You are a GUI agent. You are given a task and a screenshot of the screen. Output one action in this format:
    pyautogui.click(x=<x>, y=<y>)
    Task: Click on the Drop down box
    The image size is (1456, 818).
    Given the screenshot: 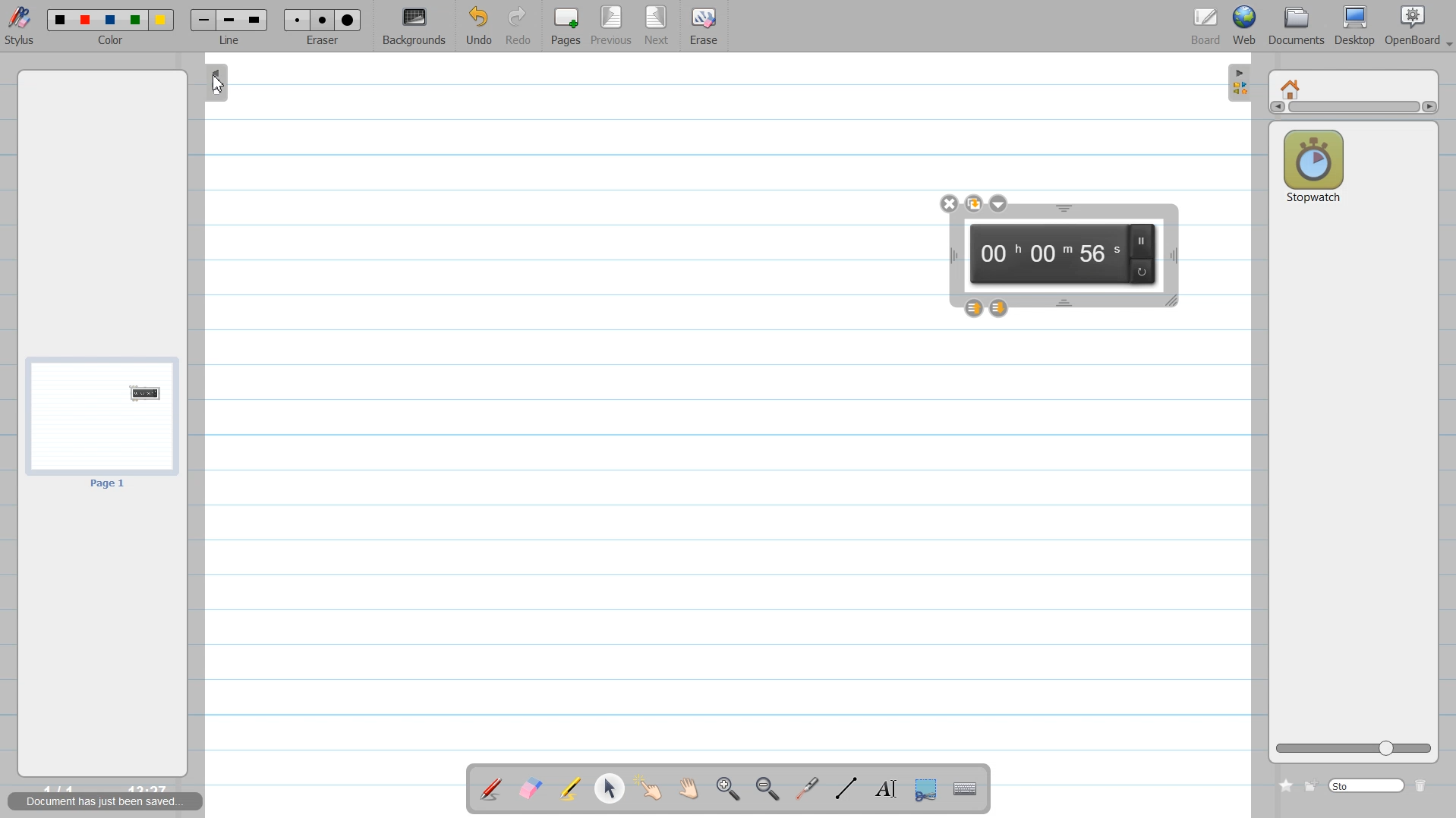 What is the action you would take?
    pyautogui.click(x=1447, y=38)
    